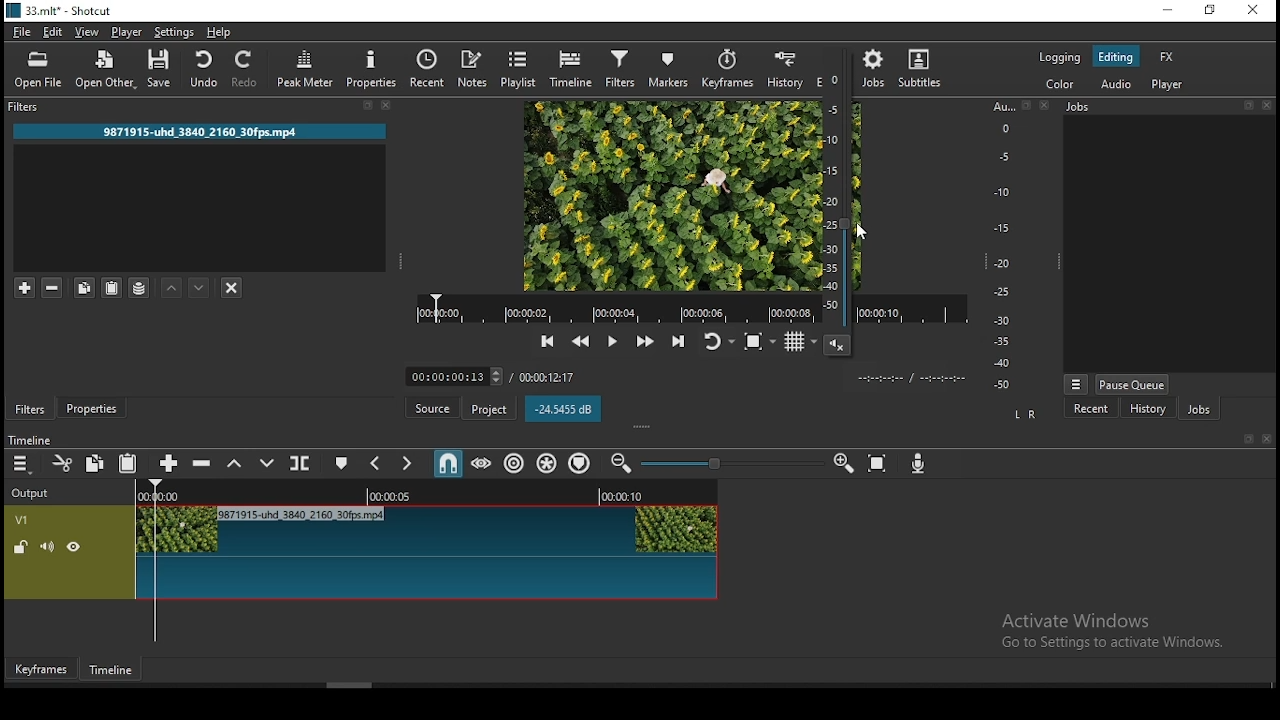  Describe the element at coordinates (23, 464) in the screenshot. I see `menu` at that location.